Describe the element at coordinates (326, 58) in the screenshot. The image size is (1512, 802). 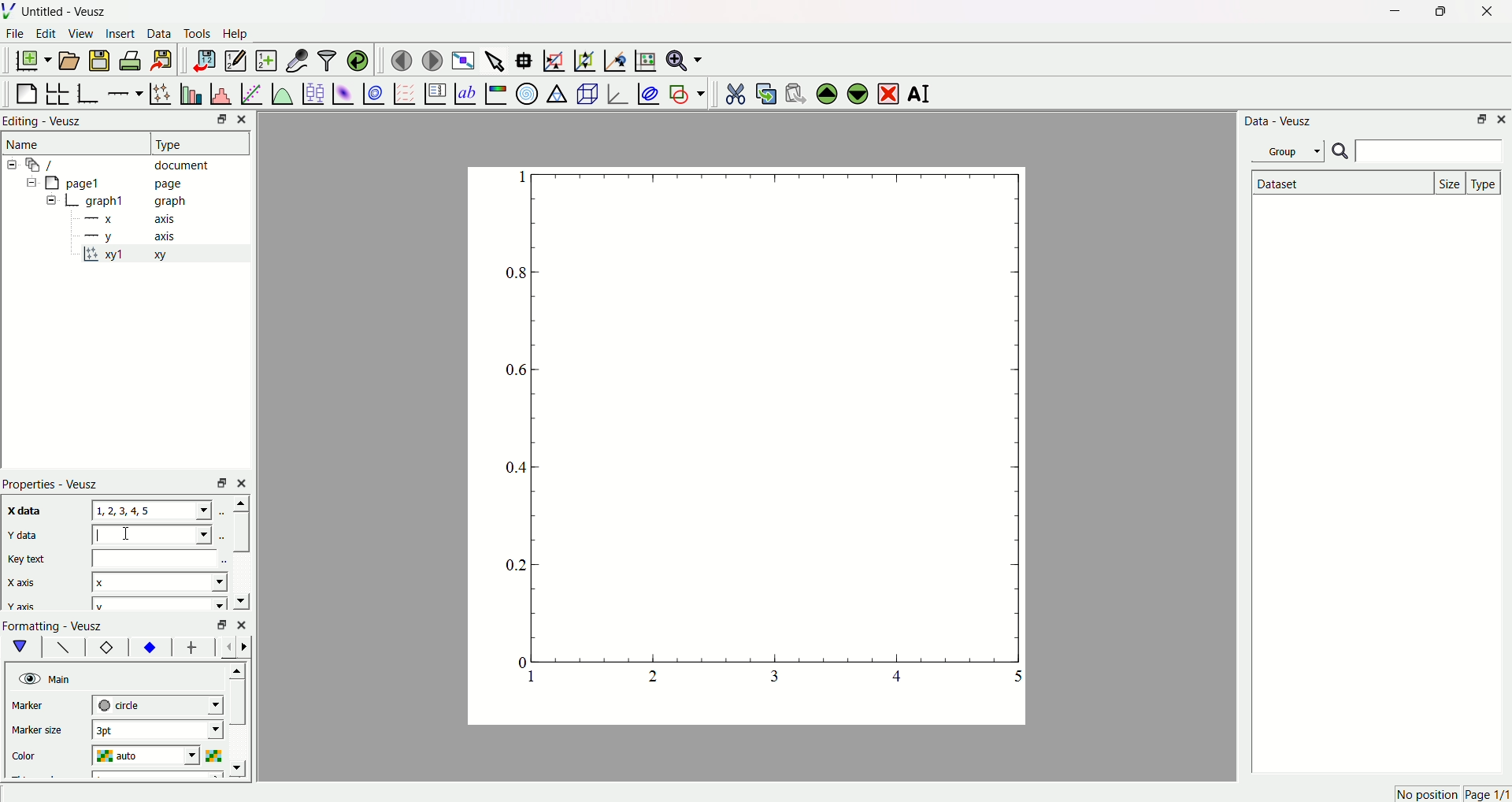
I see `filter data` at that location.